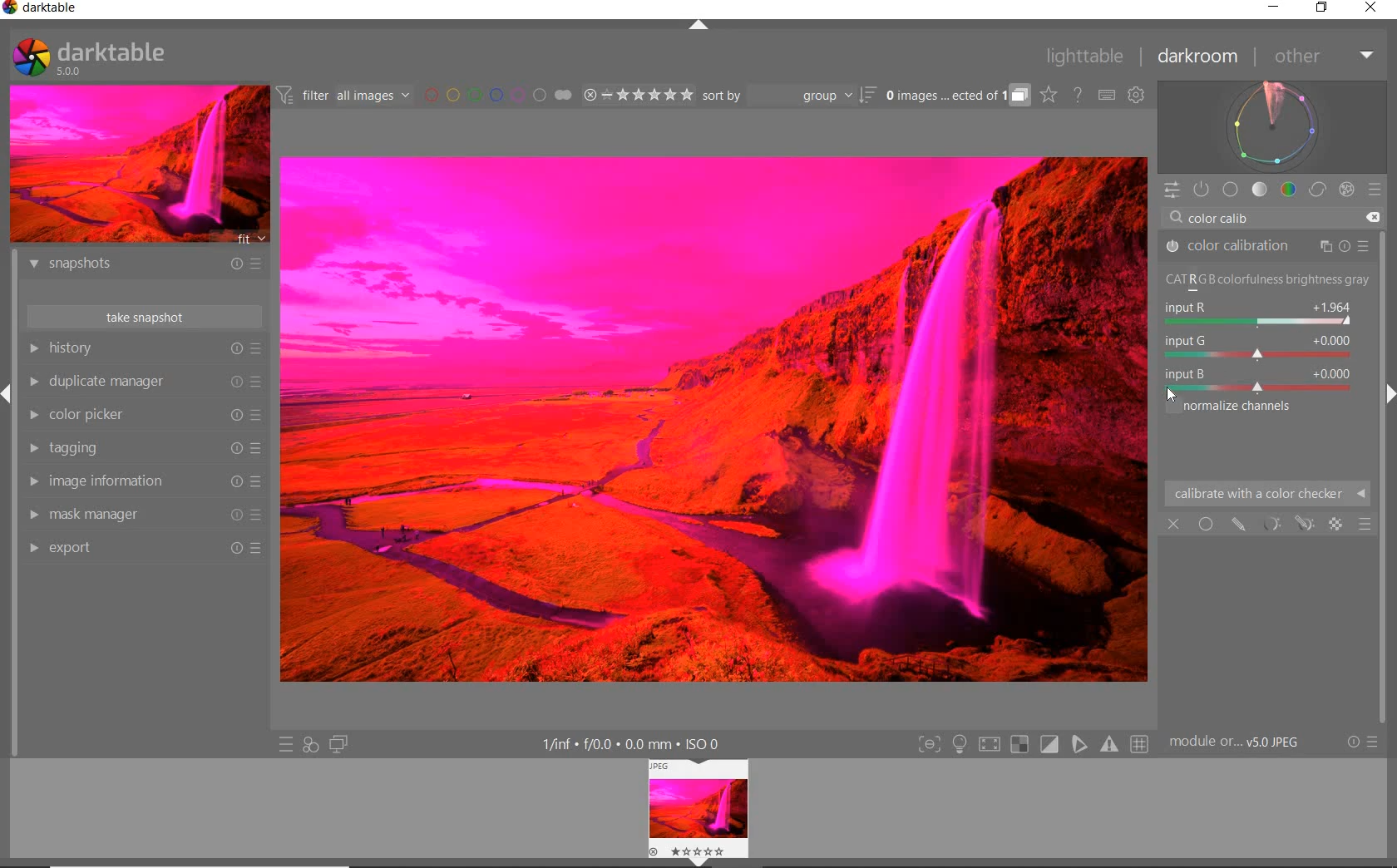 The width and height of the screenshot is (1397, 868). I want to click on correct, so click(1316, 189).